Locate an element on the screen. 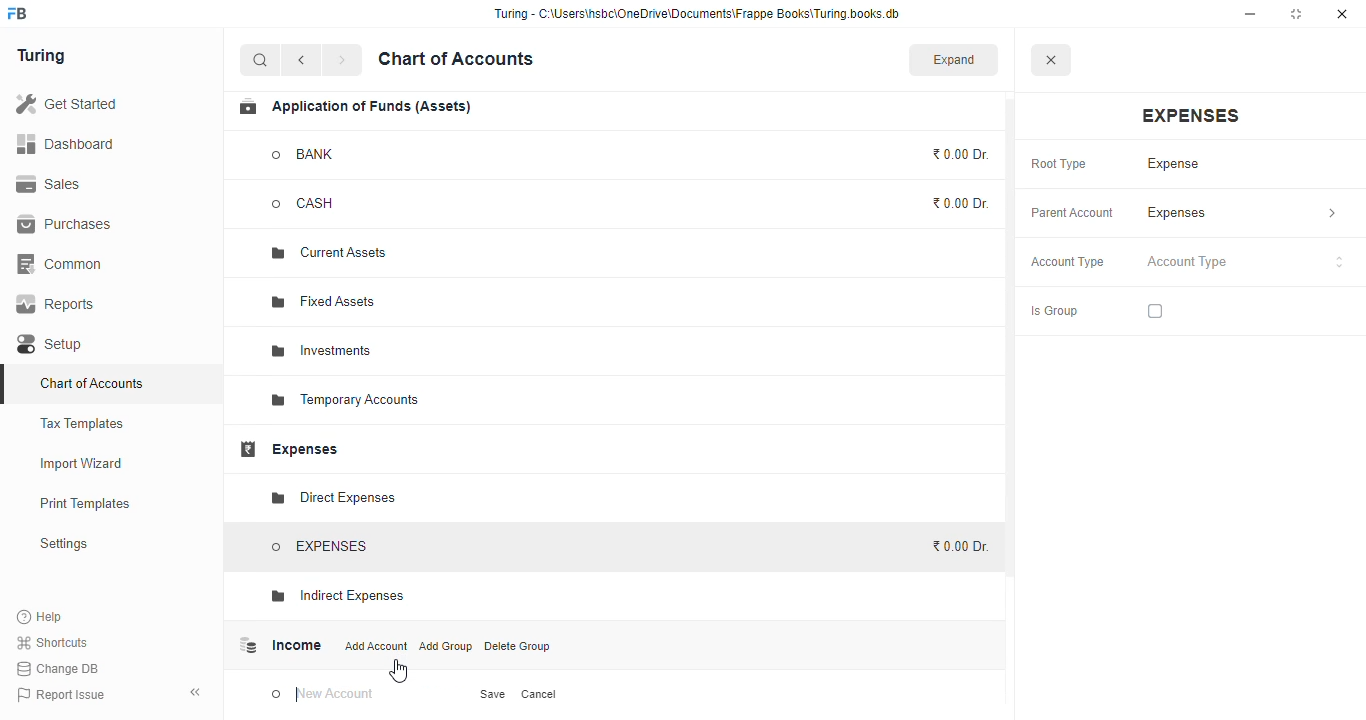 This screenshot has width=1366, height=720. ₹0.00 Dr. is located at coordinates (958, 546).